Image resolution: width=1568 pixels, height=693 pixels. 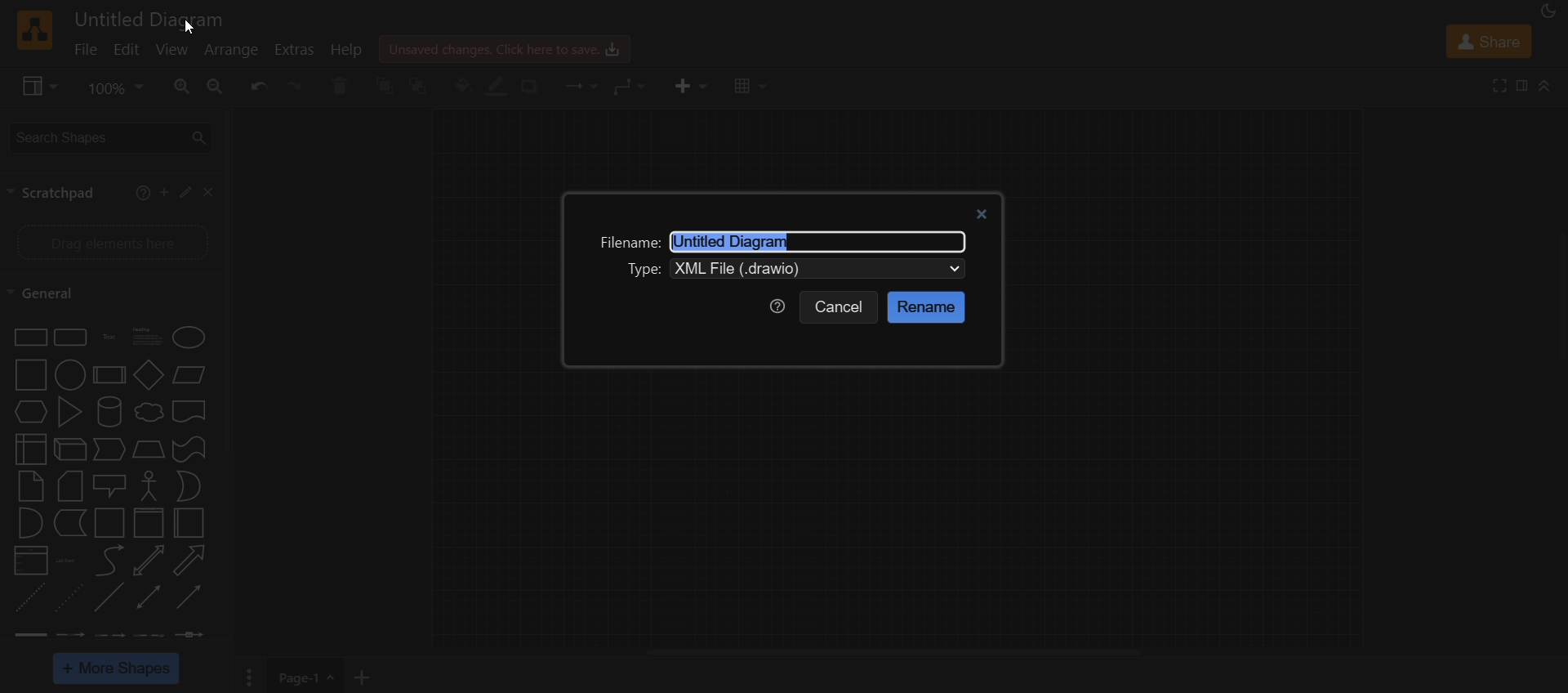 What do you see at coordinates (185, 191) in the screenshot?
I see `edit` at bounding box center [185, 191].